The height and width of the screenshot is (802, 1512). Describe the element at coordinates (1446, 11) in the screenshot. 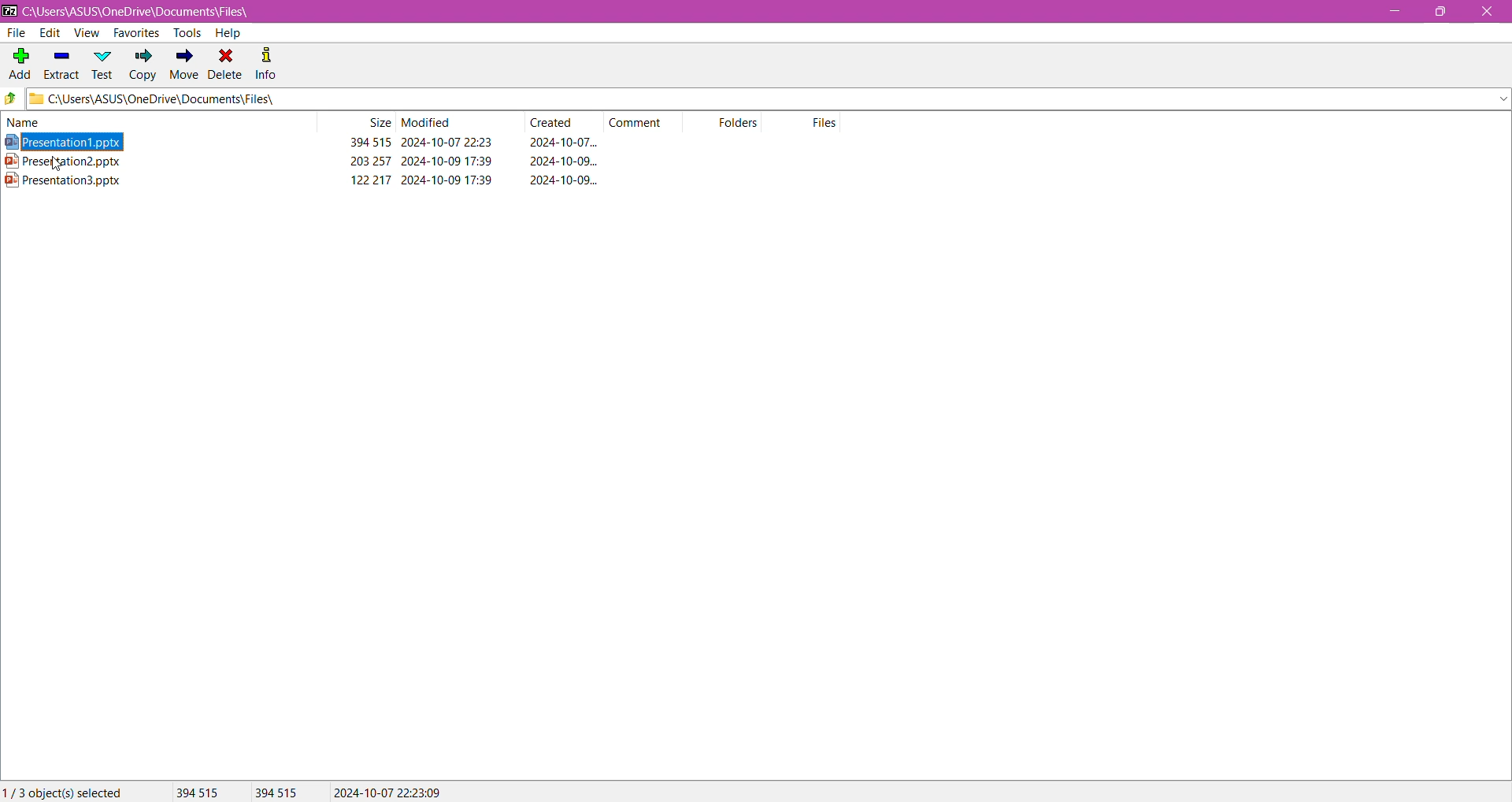

I see `Restore Down` at that location.